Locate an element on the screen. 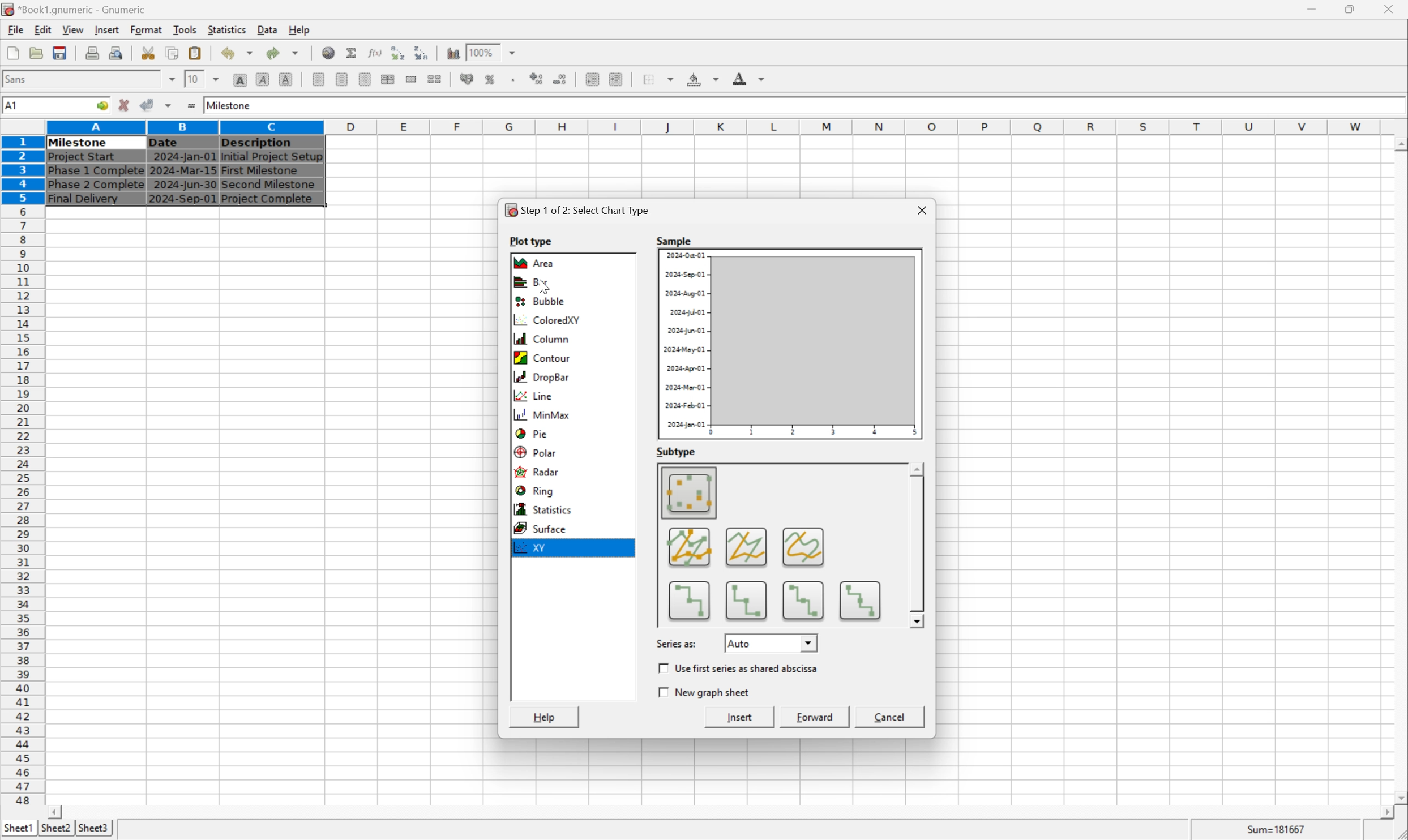  decrease indent is located at coordinates (592, 80).